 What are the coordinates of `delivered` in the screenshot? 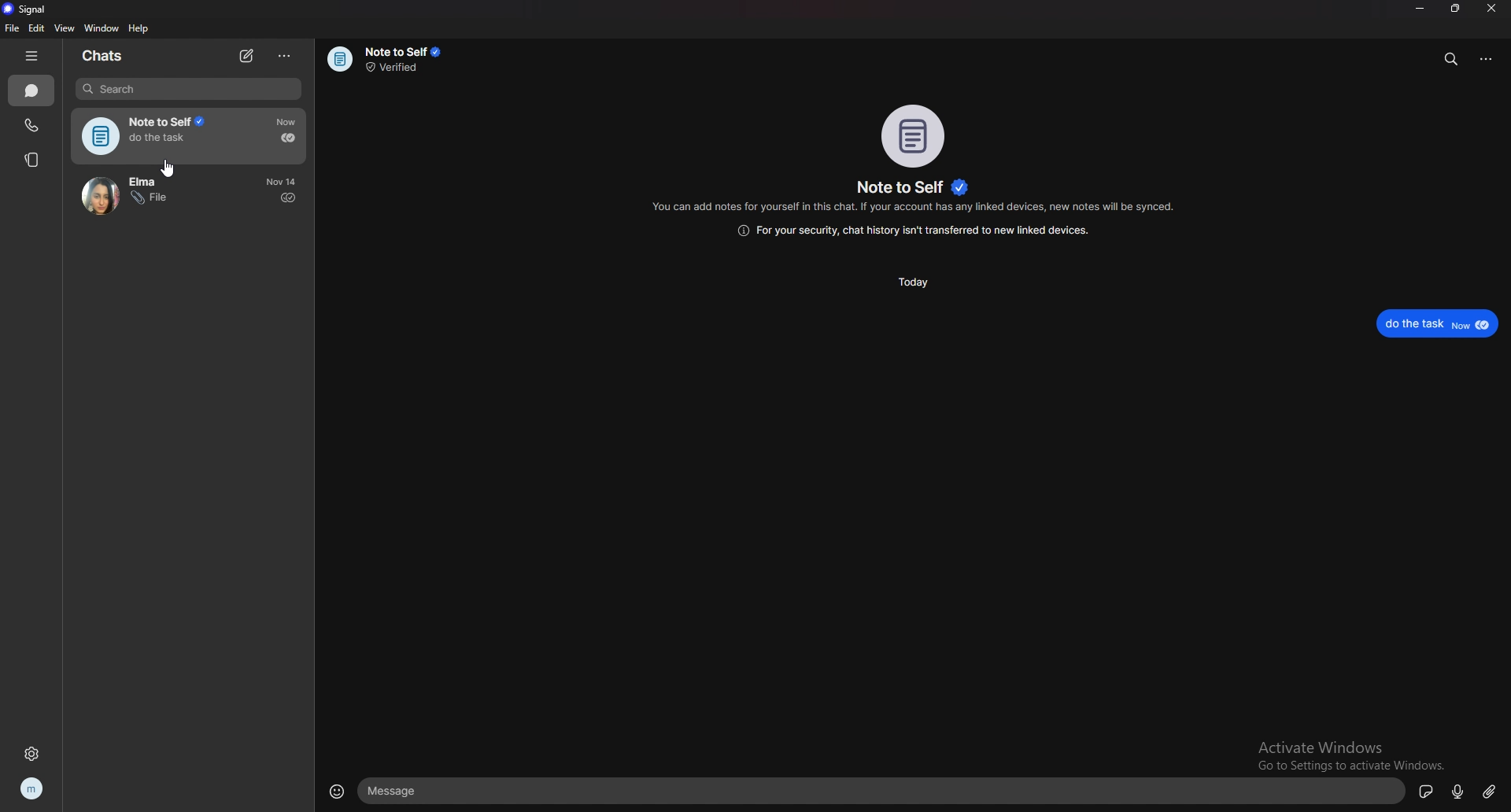 It's located at (288, 138).